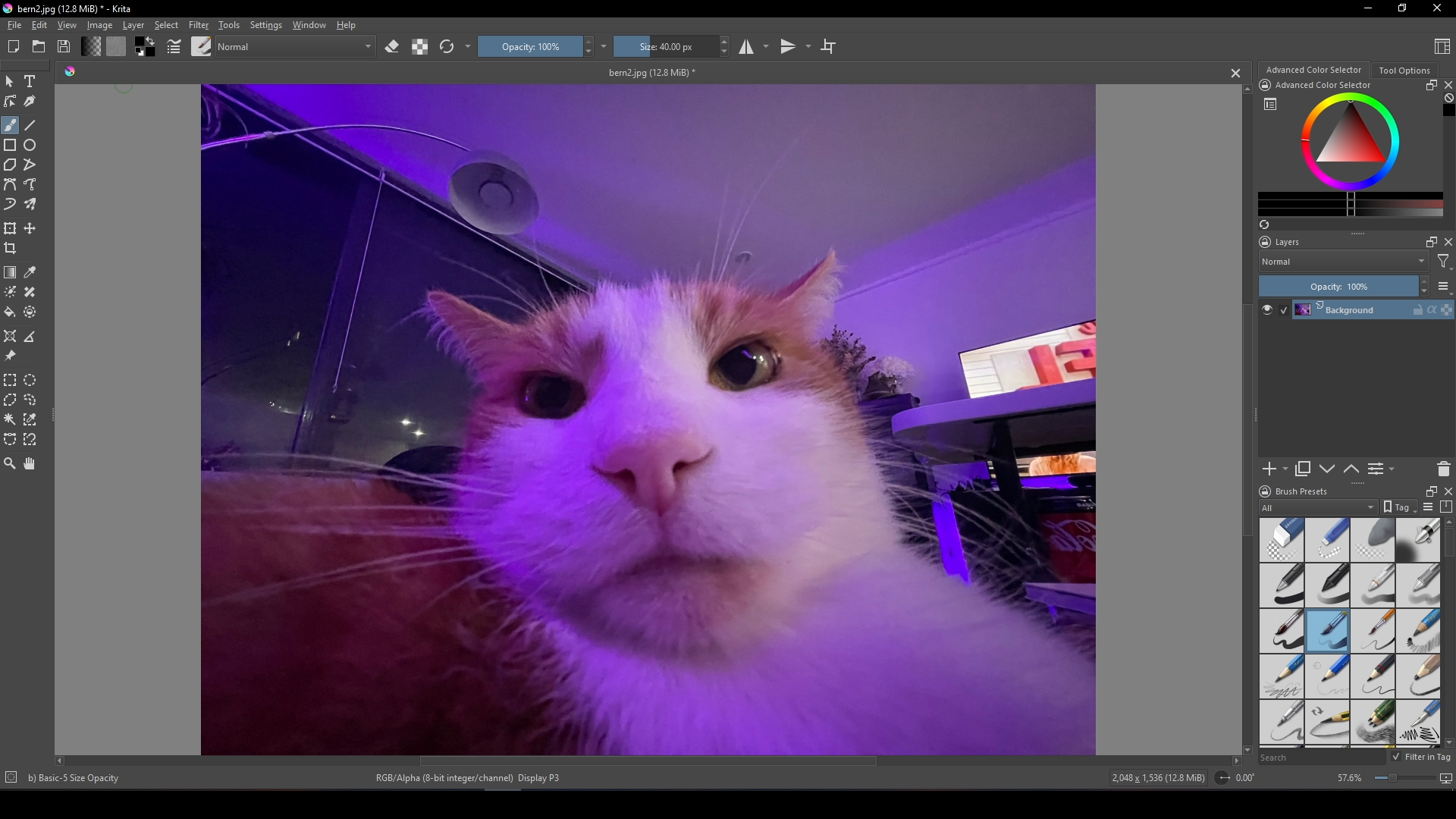  Describe the element at coordinates (29, 463) in the screenshot. I see `Pan tool` at that location.